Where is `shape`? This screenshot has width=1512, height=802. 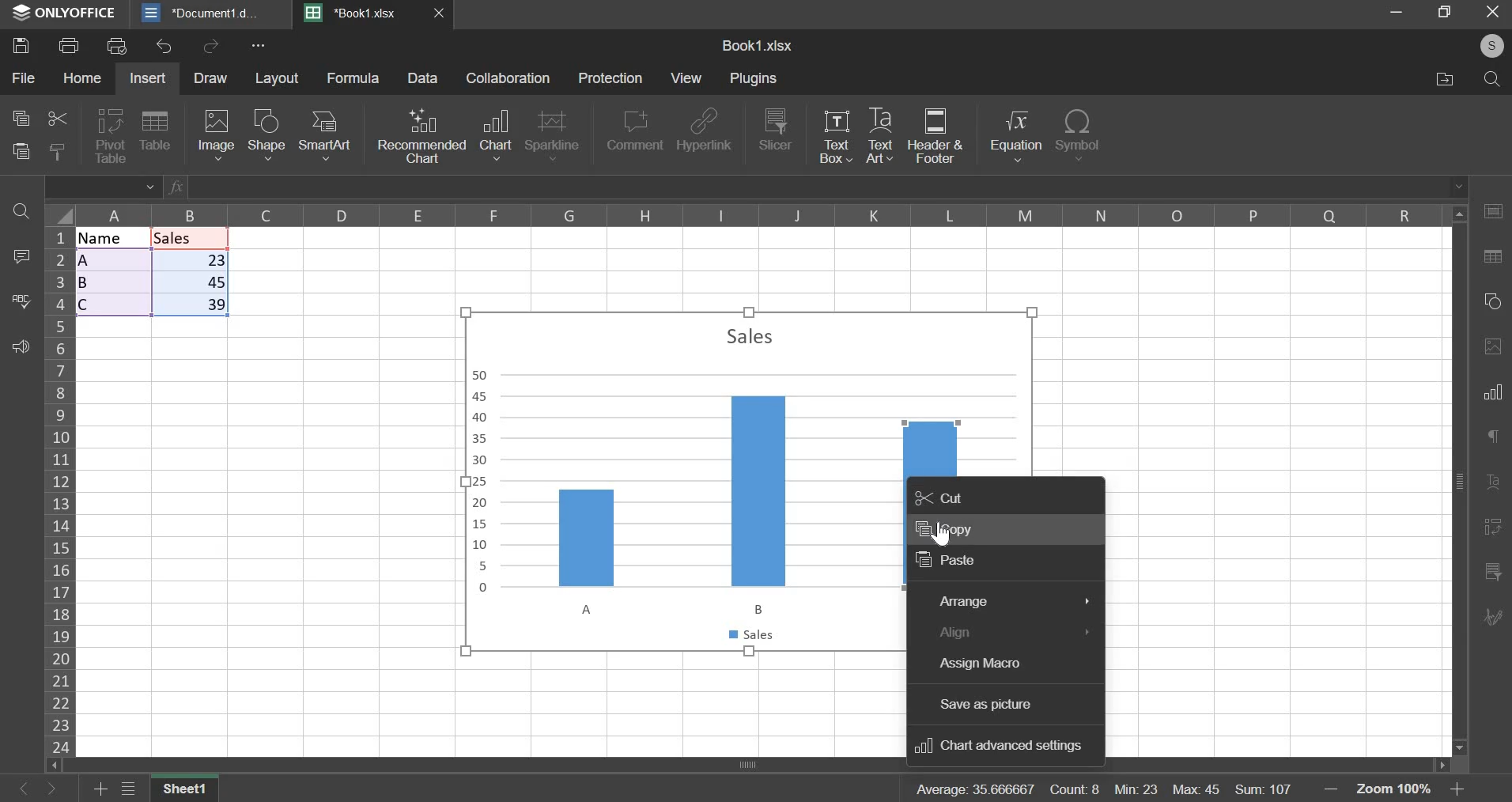
shape is located at coordinates (267, 135).